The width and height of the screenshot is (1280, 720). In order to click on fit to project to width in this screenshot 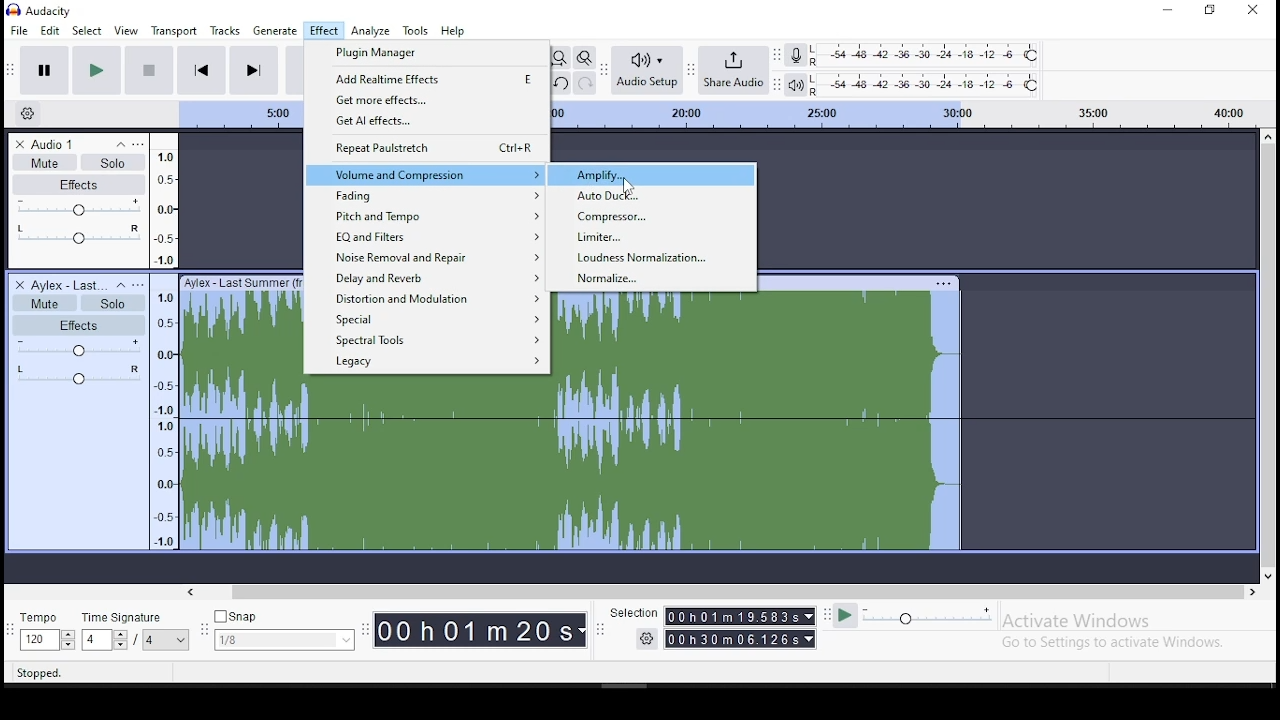, I will do `click(559, 57)`.